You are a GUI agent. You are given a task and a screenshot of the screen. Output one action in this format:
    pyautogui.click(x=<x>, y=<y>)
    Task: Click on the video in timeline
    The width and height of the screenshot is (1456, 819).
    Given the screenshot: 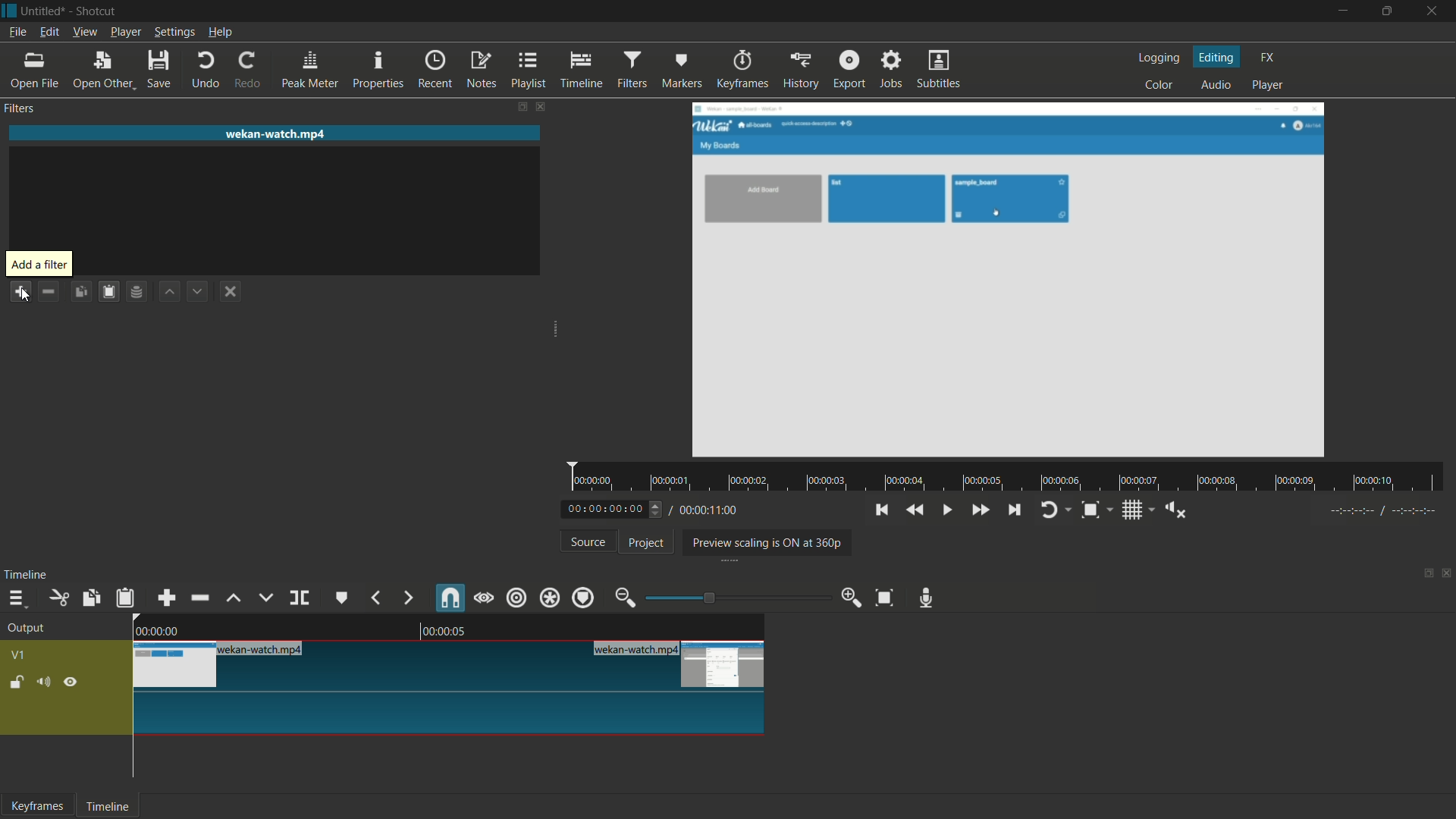 What is the action you would take?
    pyautogui.click(x=450, y=688)
    